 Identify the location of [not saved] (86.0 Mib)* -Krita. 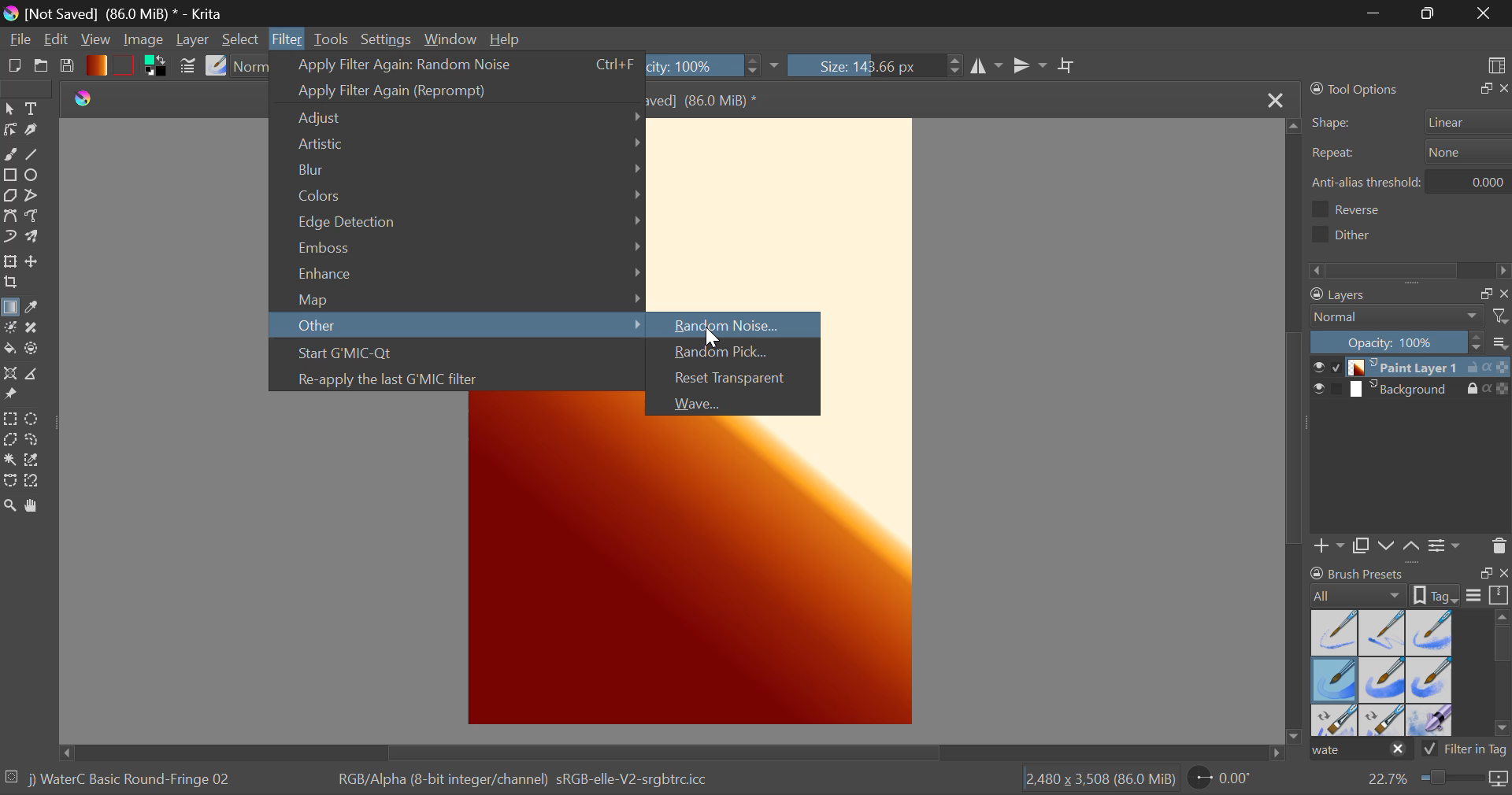
(114, 14).